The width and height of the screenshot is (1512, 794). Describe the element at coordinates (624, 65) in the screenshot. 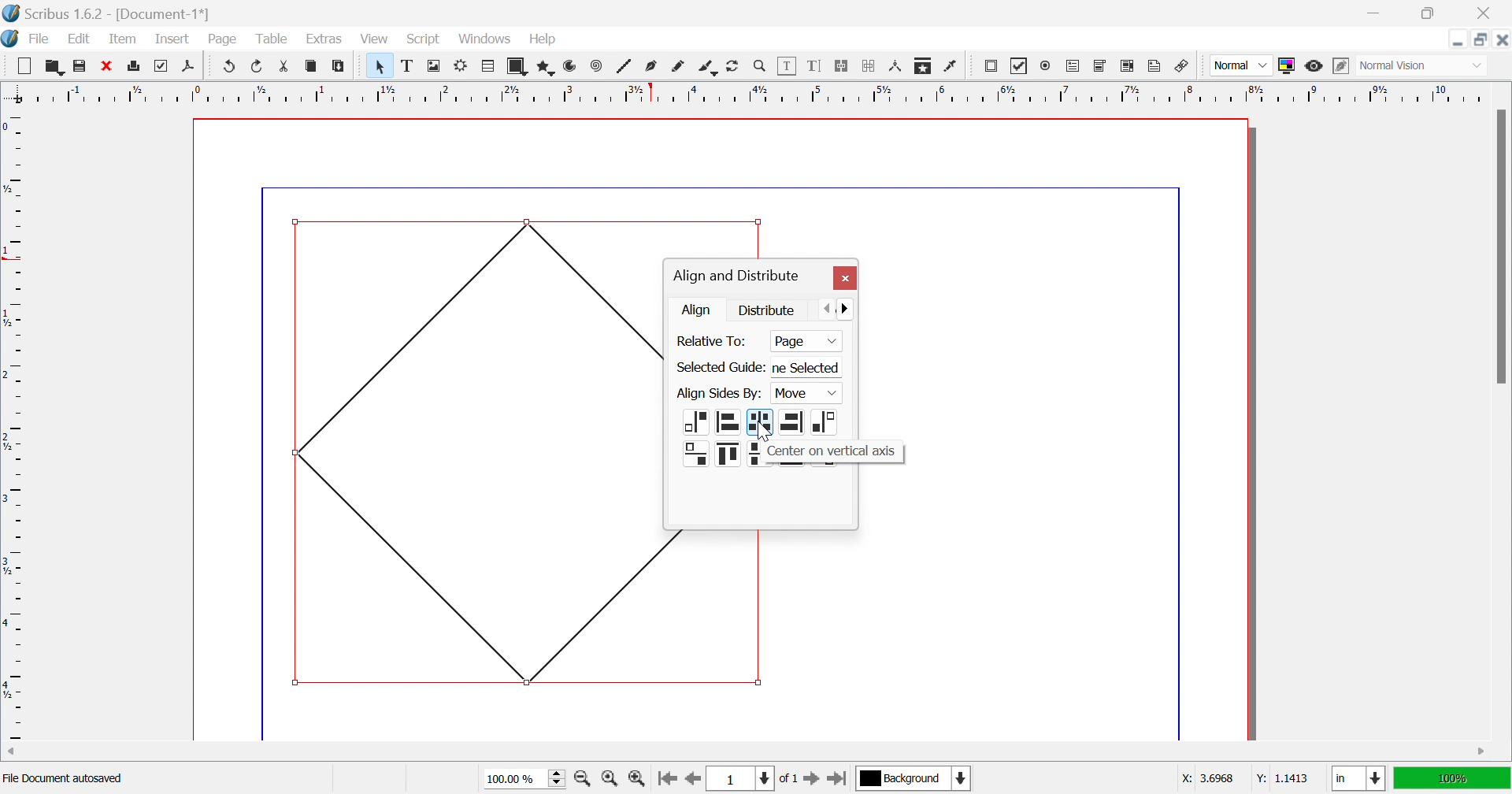

I see `Line` at that location.